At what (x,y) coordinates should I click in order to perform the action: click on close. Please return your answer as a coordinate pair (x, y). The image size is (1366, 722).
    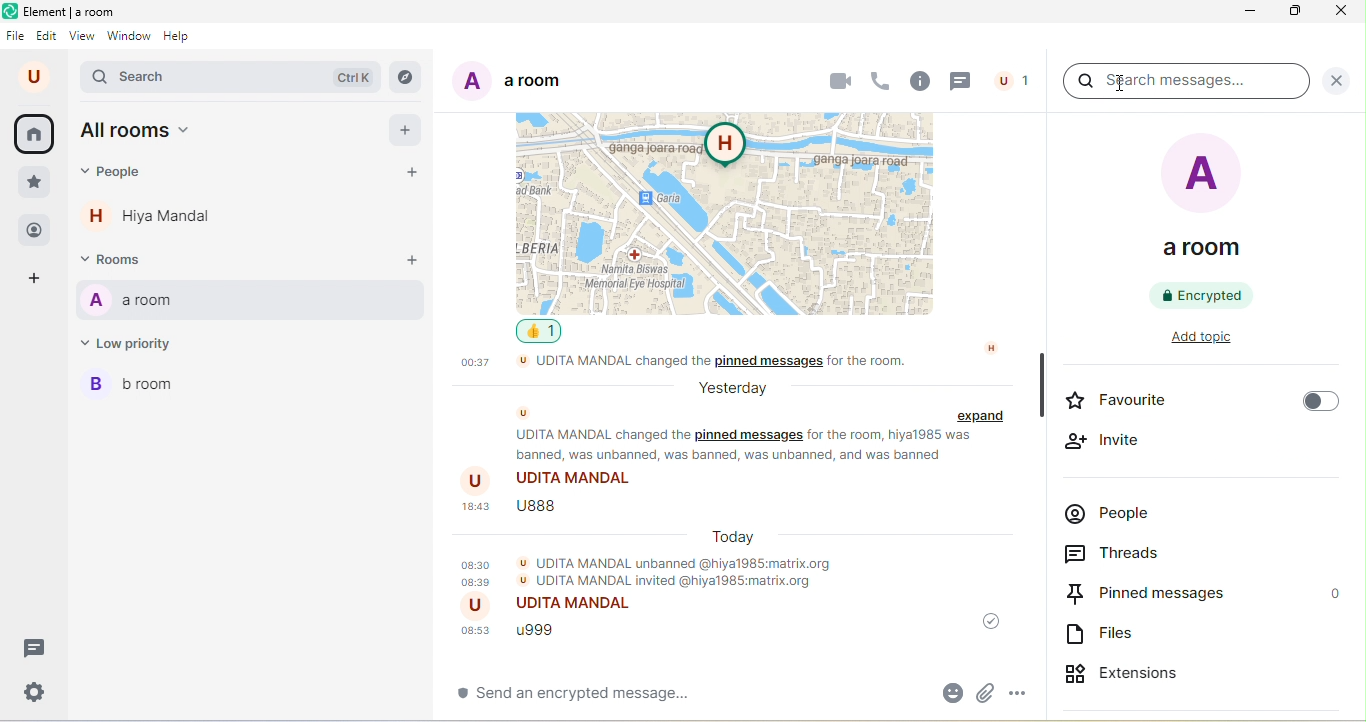
    Looking at the image, I should click on (1337, 15).